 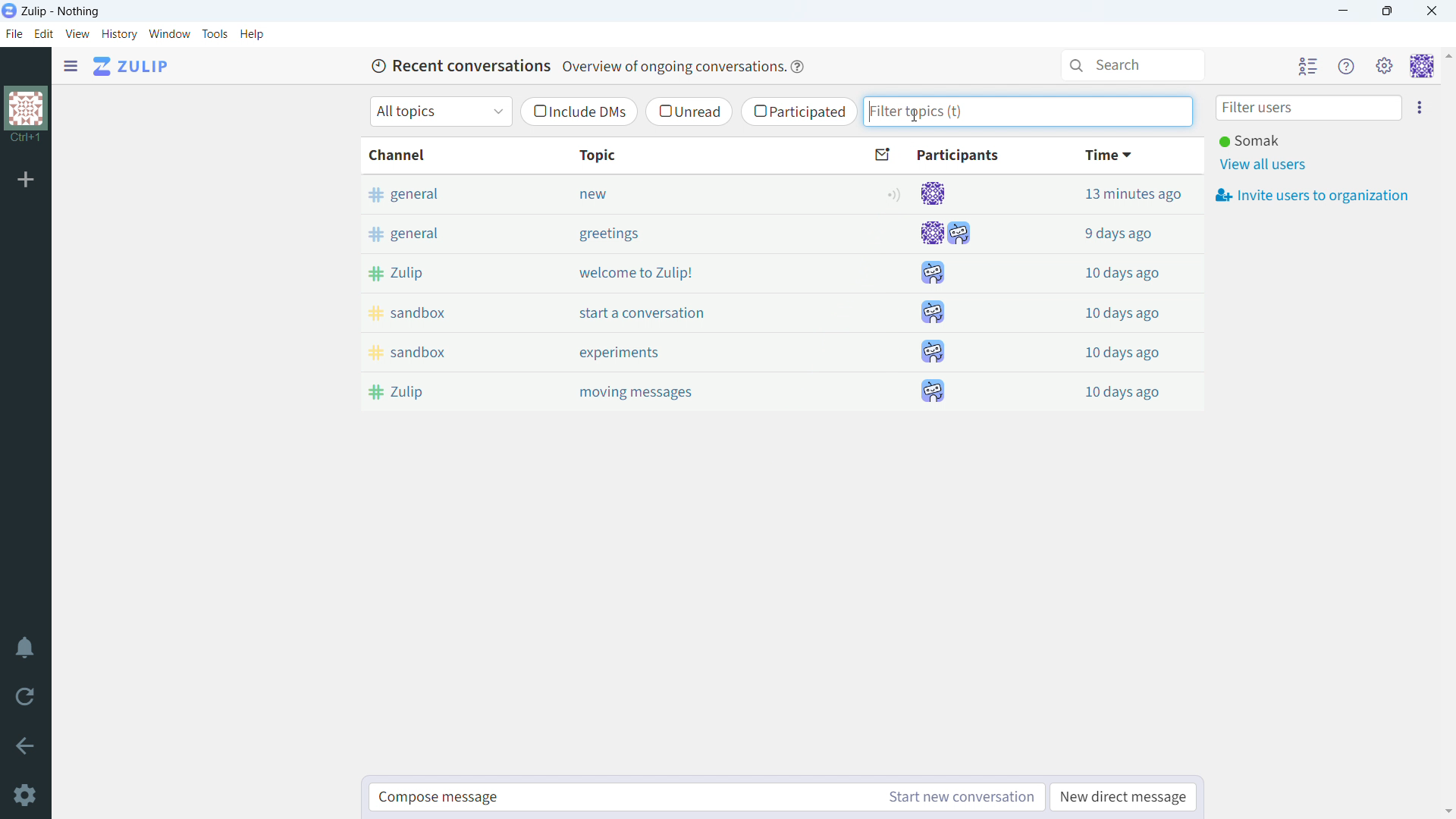 What do you see at coordinates (693, 193) in the screenshot?
I see `new` at bounding box center [693, 193].